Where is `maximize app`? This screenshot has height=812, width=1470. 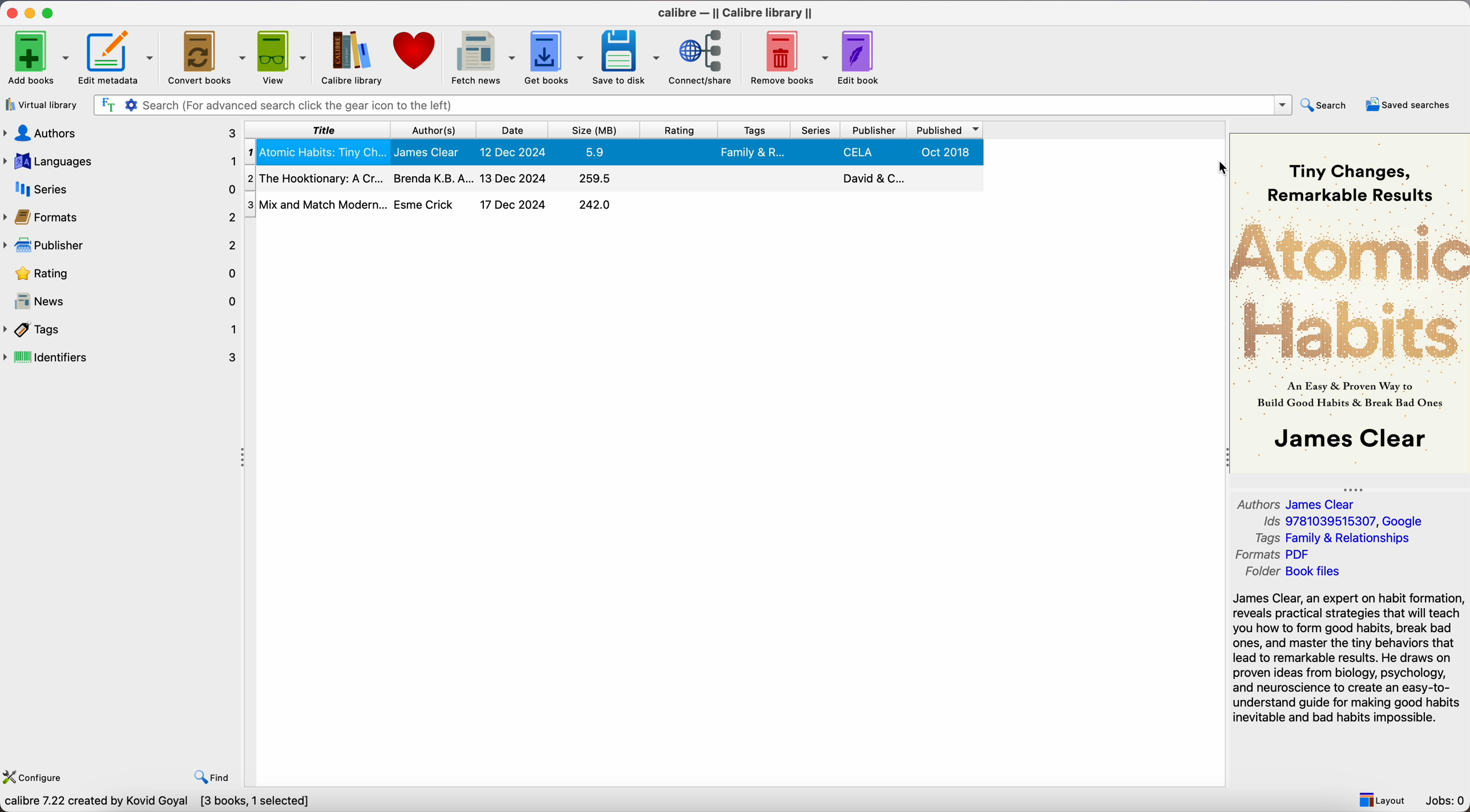
maximize app is located at coordinates (50, 13).